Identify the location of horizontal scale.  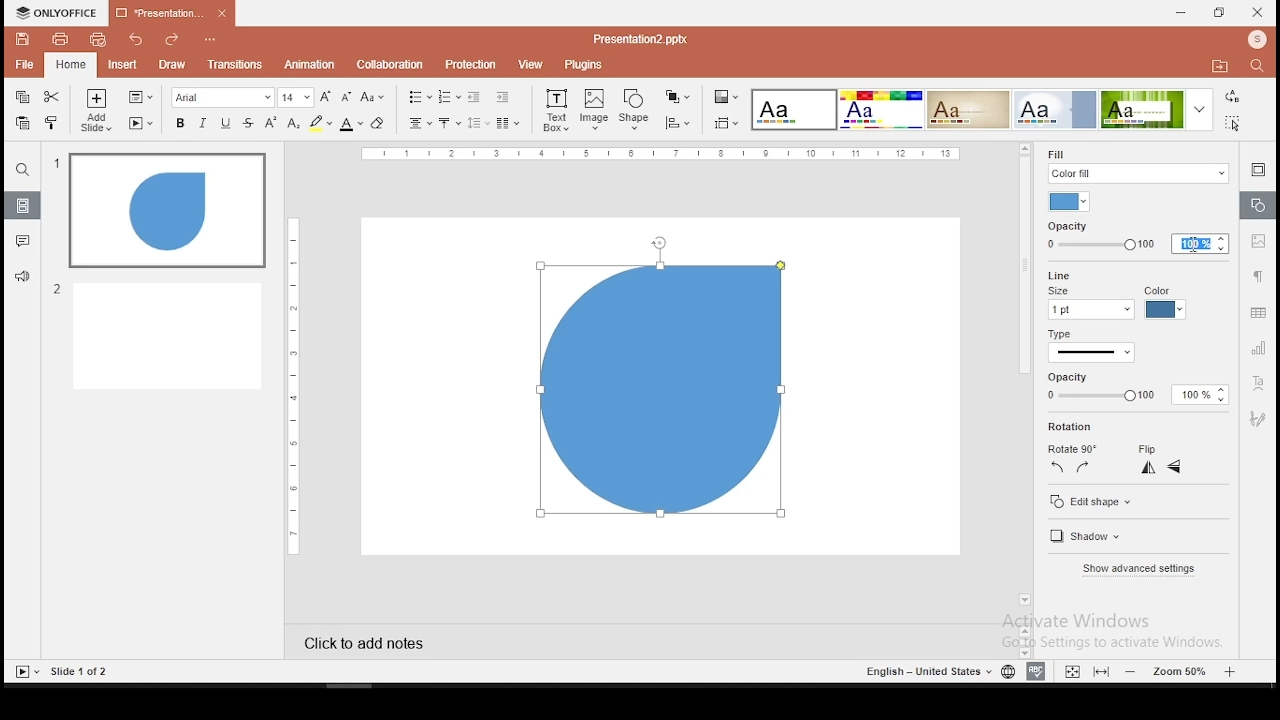
(290, 385).